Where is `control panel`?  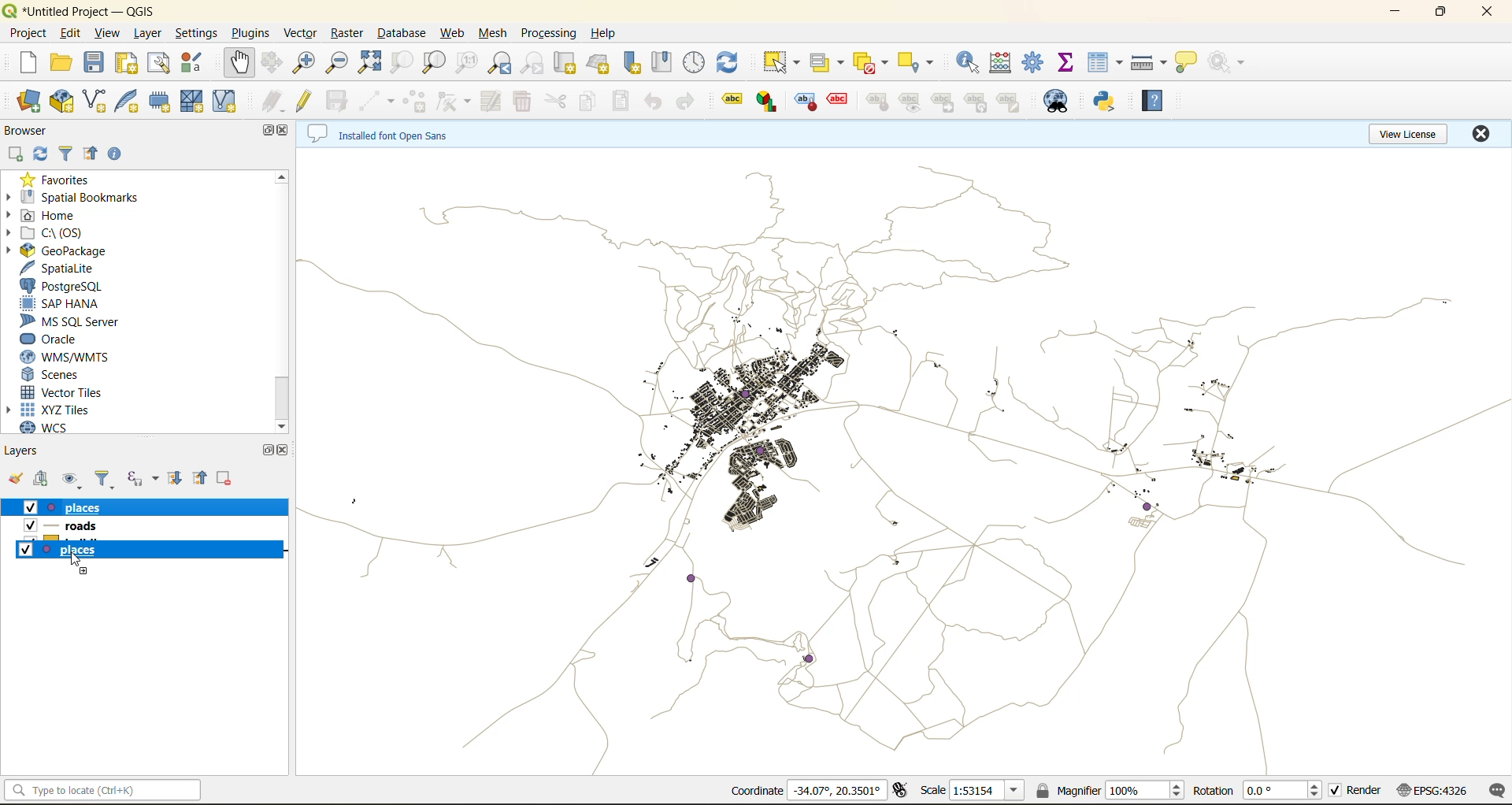
control panel is located at coordinates (698, 59).